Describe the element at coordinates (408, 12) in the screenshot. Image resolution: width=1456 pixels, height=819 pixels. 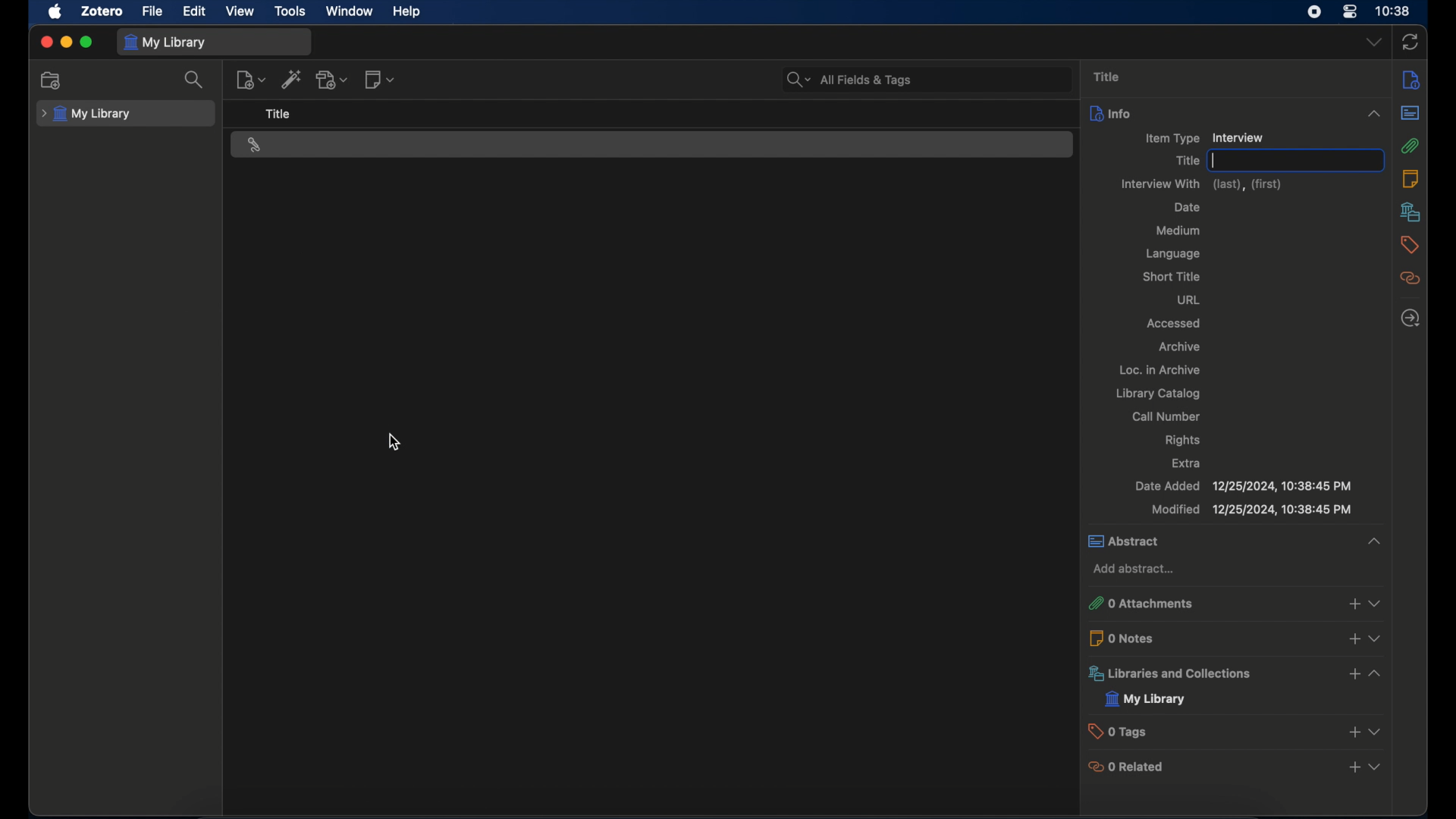
I see `help` at that location.